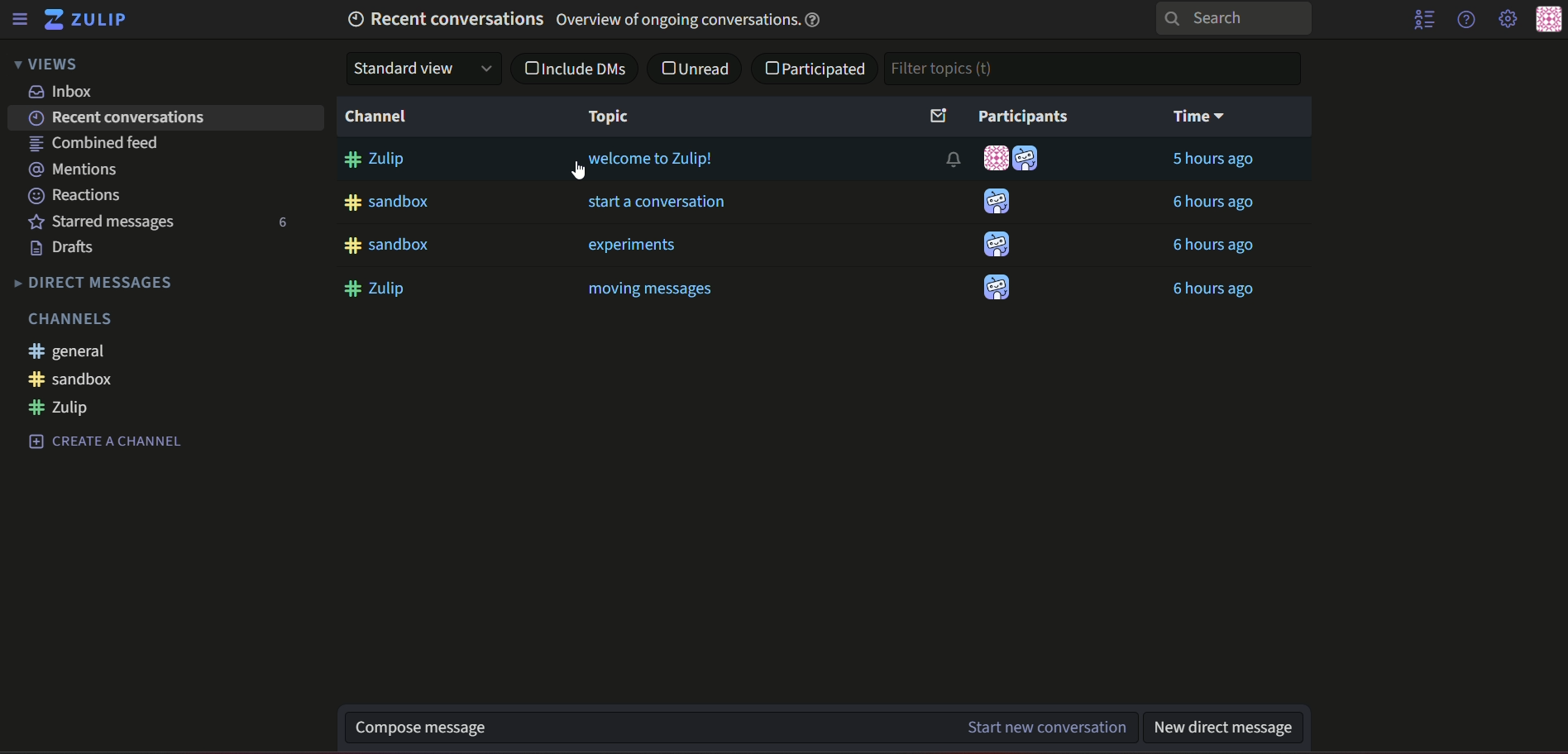  I want to click on 5 hours ago, so click(1212, 160).